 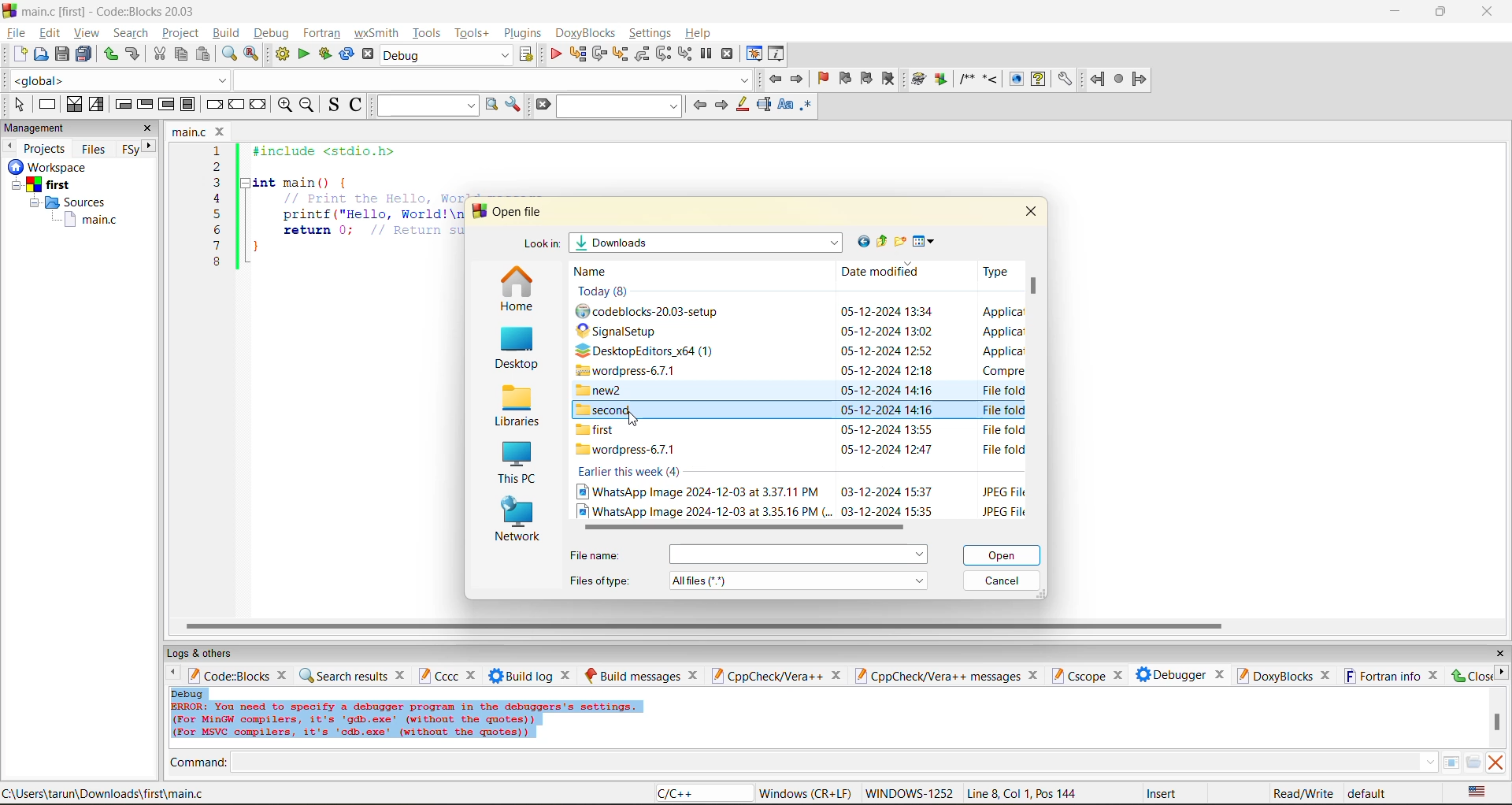 I want to click on 7, so click(x=217, y=246).